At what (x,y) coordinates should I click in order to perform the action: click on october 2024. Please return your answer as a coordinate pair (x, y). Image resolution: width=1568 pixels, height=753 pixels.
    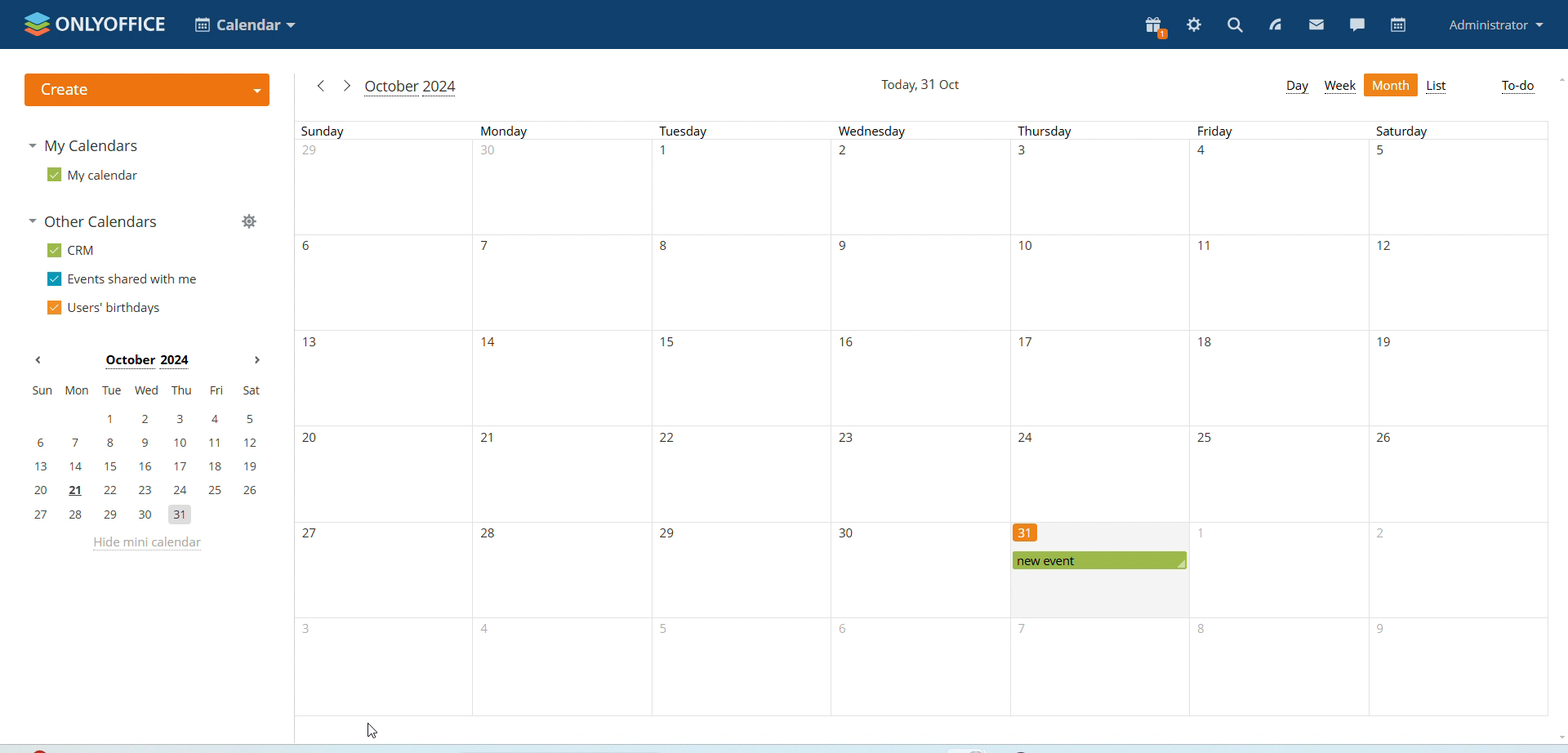
    Looking at the image, I should click on (146, 361).